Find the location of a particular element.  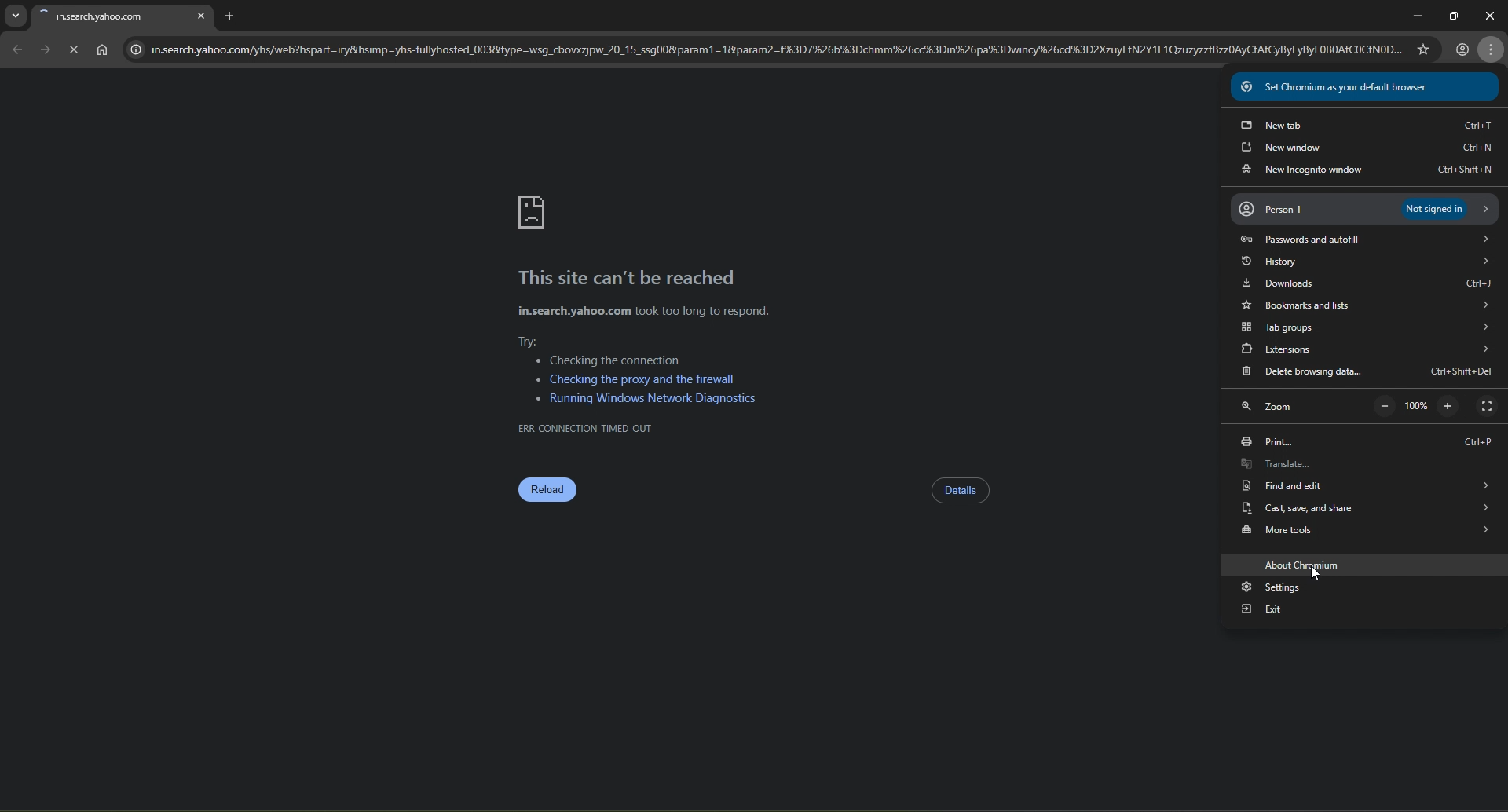

passwords and autofill is located at coordinates (1363, 240).